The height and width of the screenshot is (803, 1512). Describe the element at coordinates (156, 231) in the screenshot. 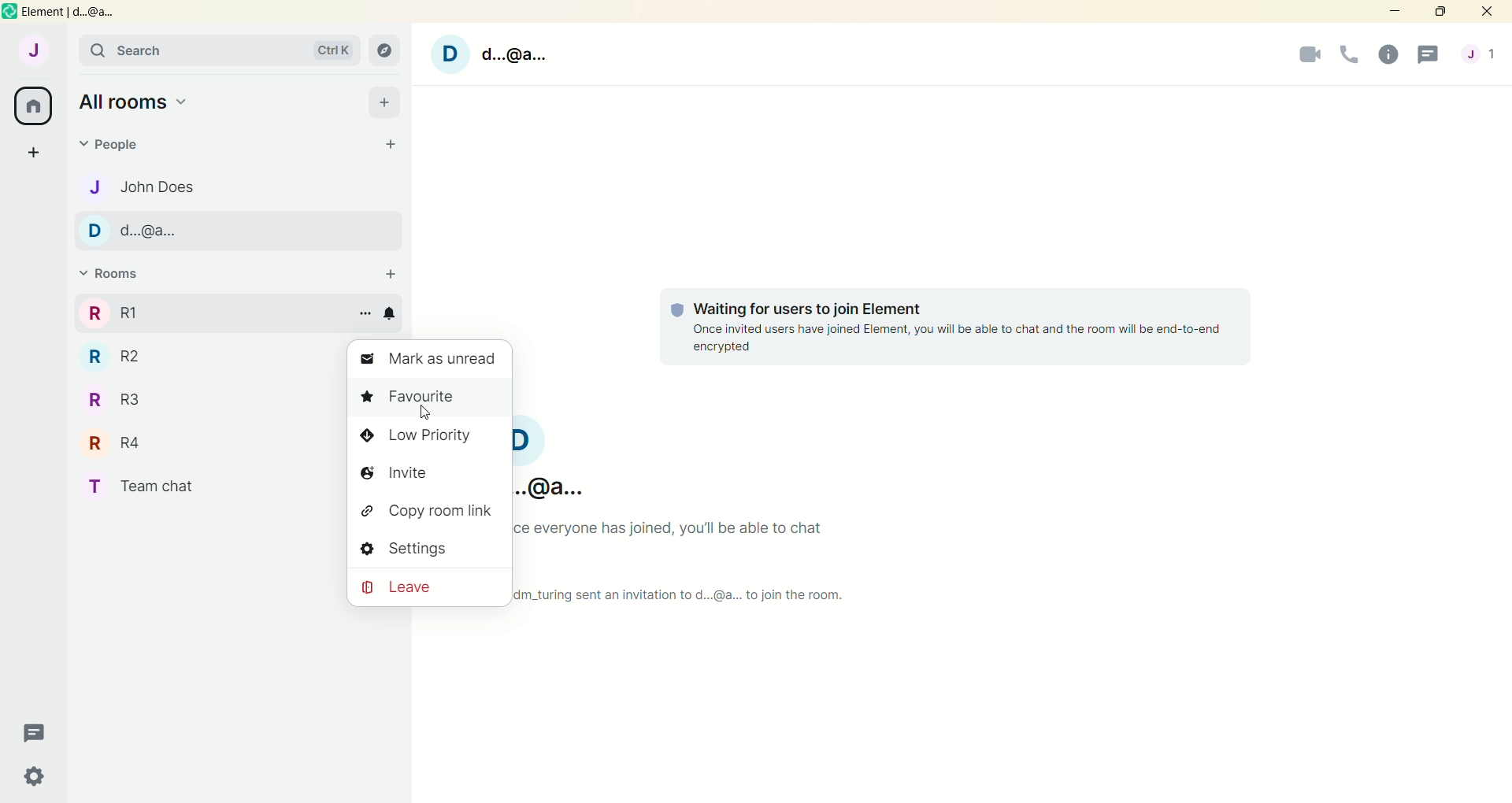

I see `D d.@a..` at that location.